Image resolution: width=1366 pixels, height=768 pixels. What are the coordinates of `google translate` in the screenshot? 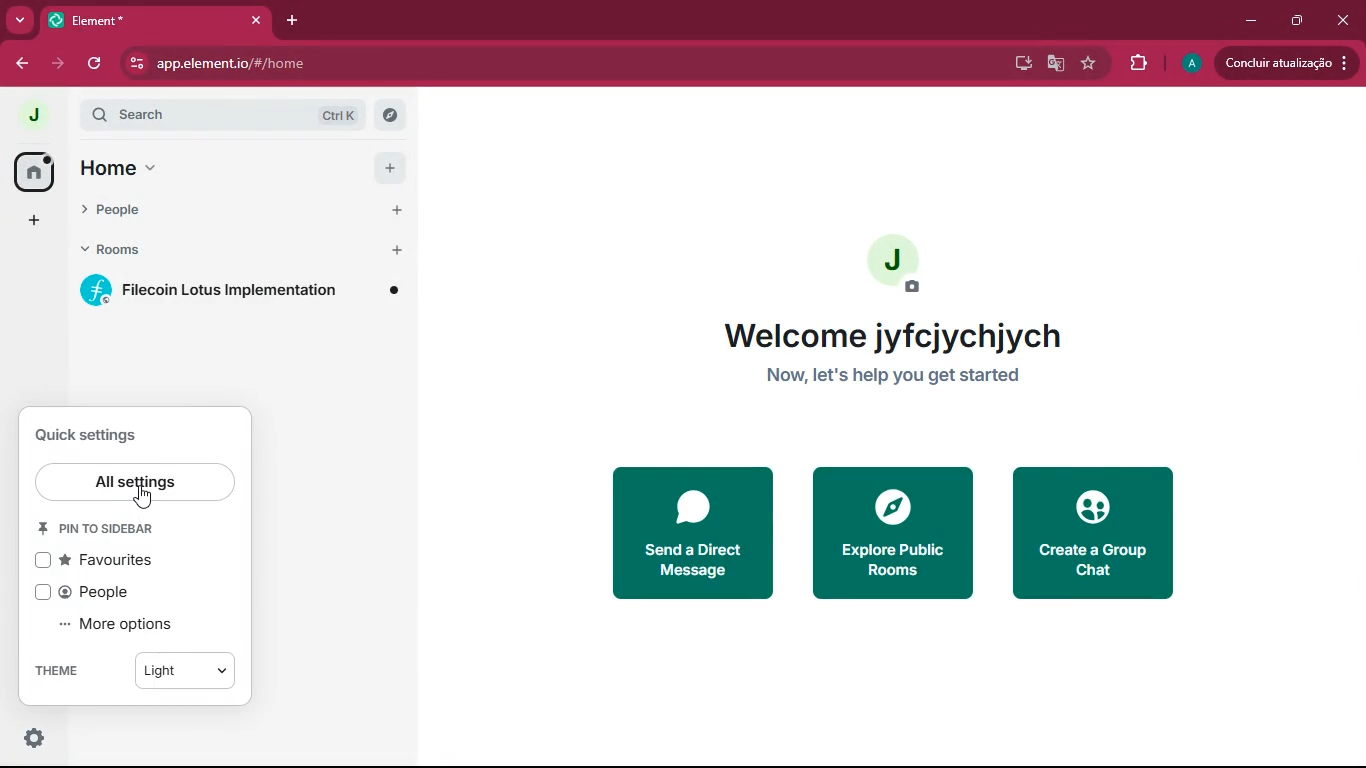 It's located at (1054, 66).